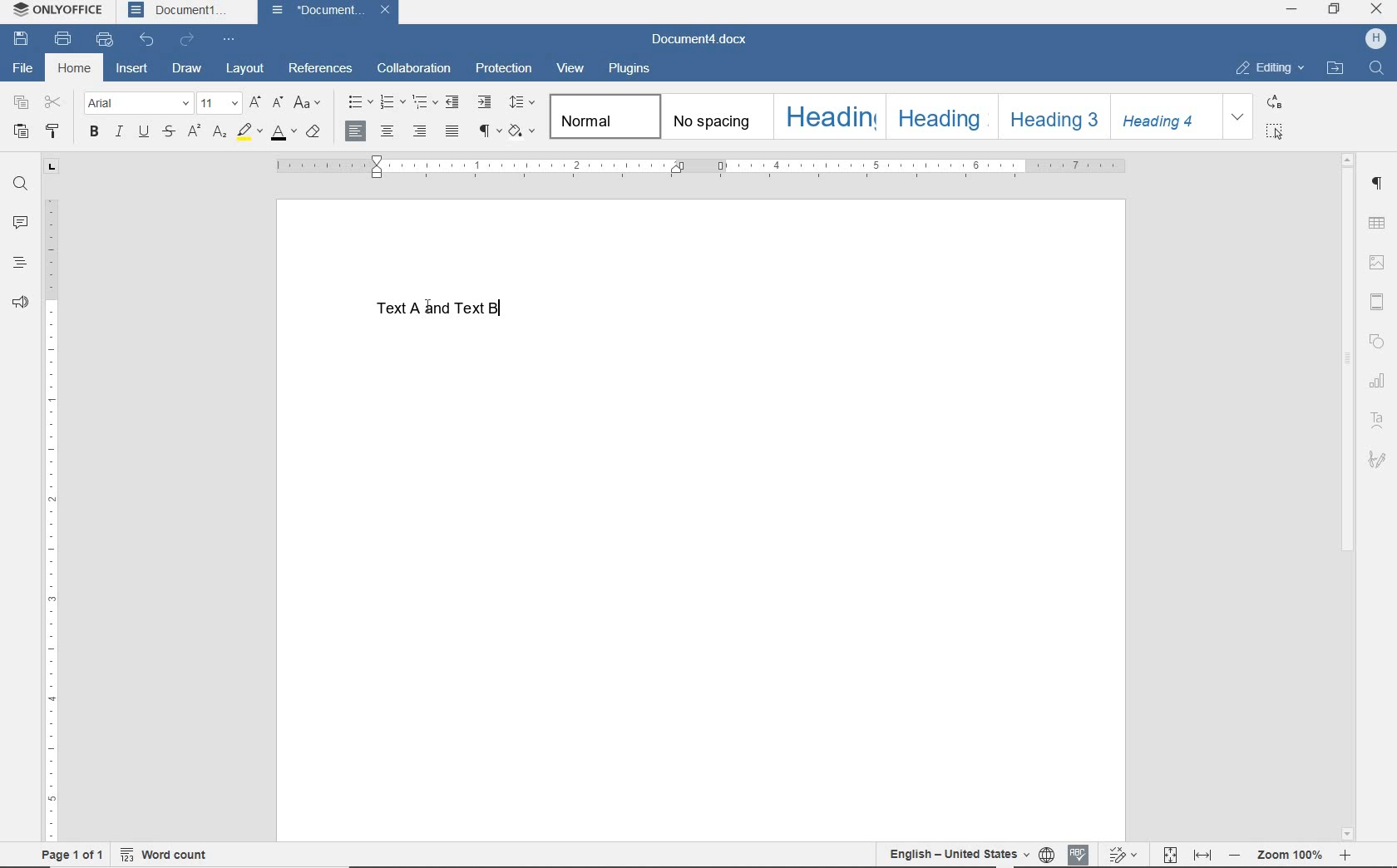  I want to click on HOME, so click(74, 68).